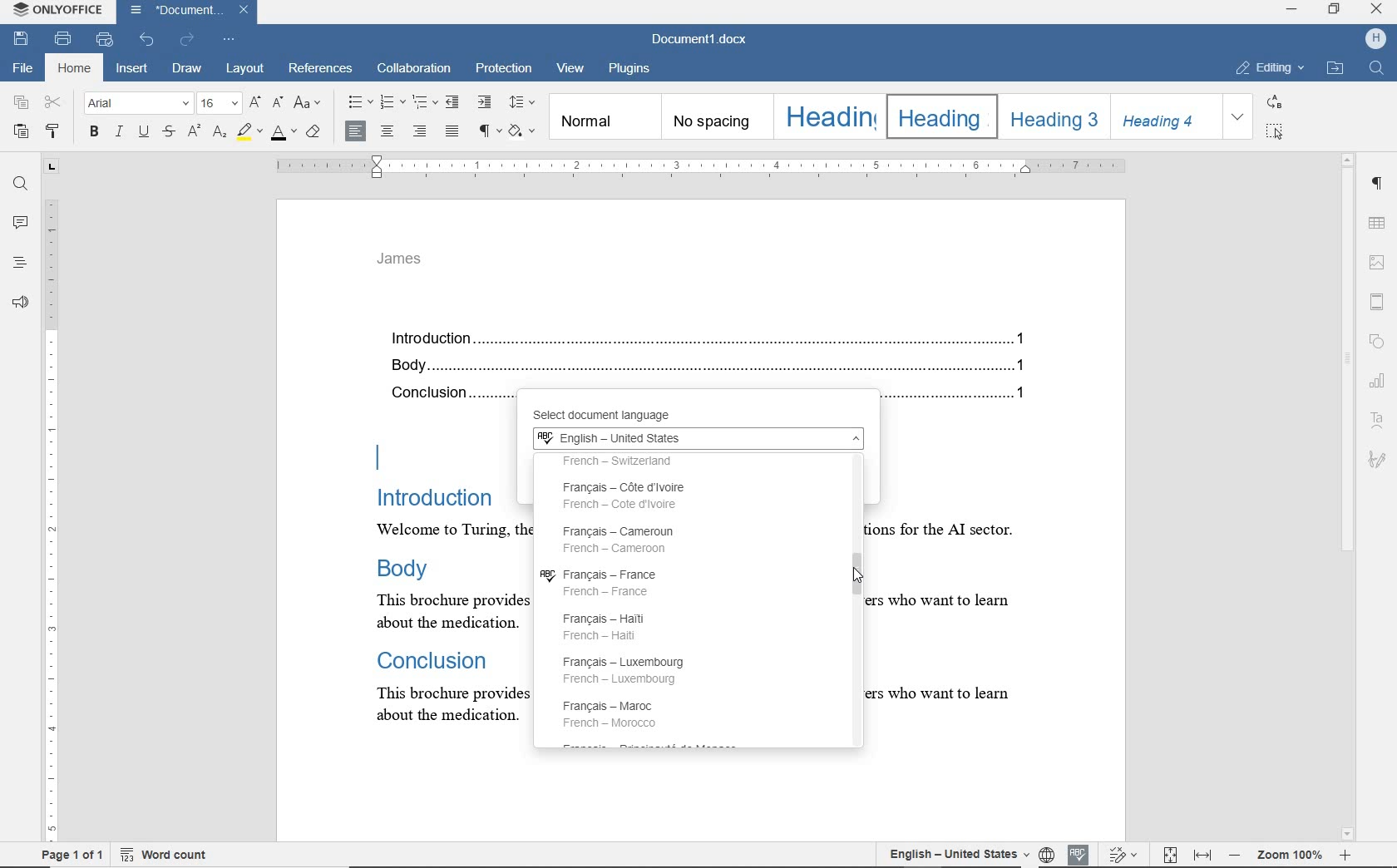  What do you see at coordinates (20, 39) in the screenshot?
I see `save` at bounding box center [20, 39].